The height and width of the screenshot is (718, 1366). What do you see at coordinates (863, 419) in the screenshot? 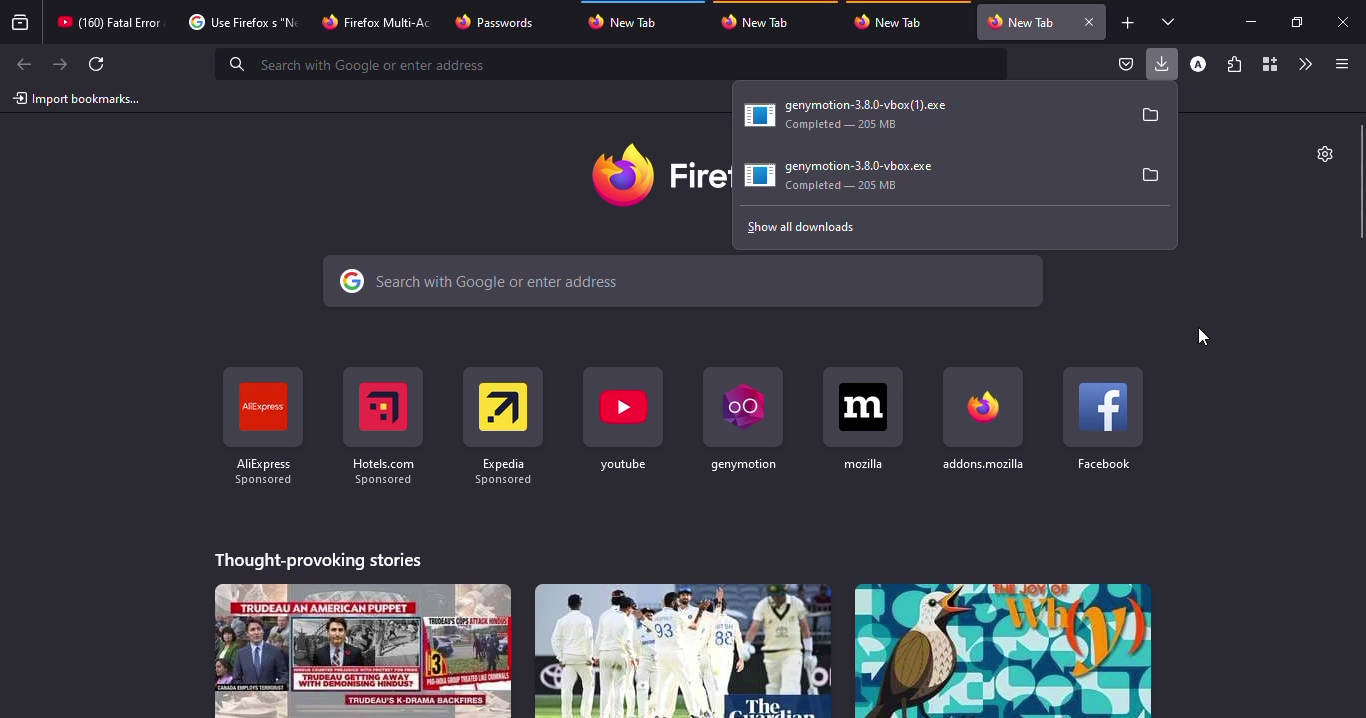
I see `shortcut` at bounding box center [863, 419].